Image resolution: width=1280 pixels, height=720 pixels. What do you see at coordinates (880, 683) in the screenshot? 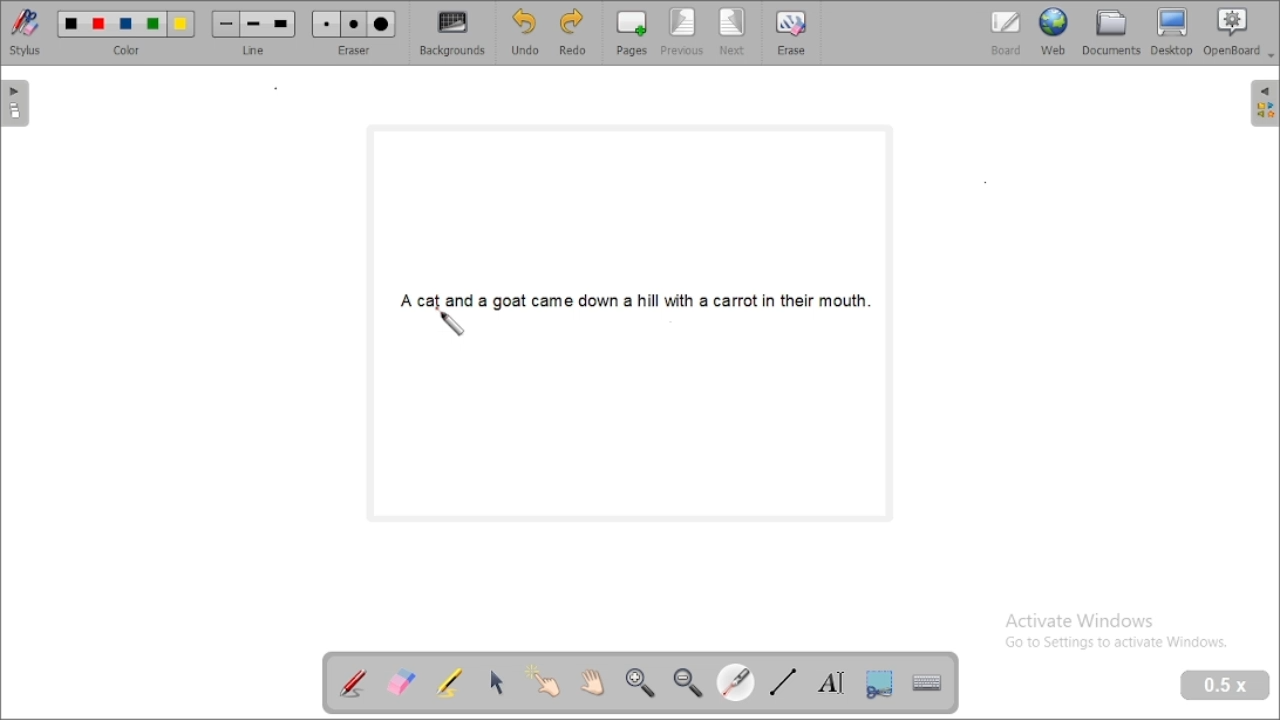
I see `capture part of the screen` at bounding box center [880, 683].